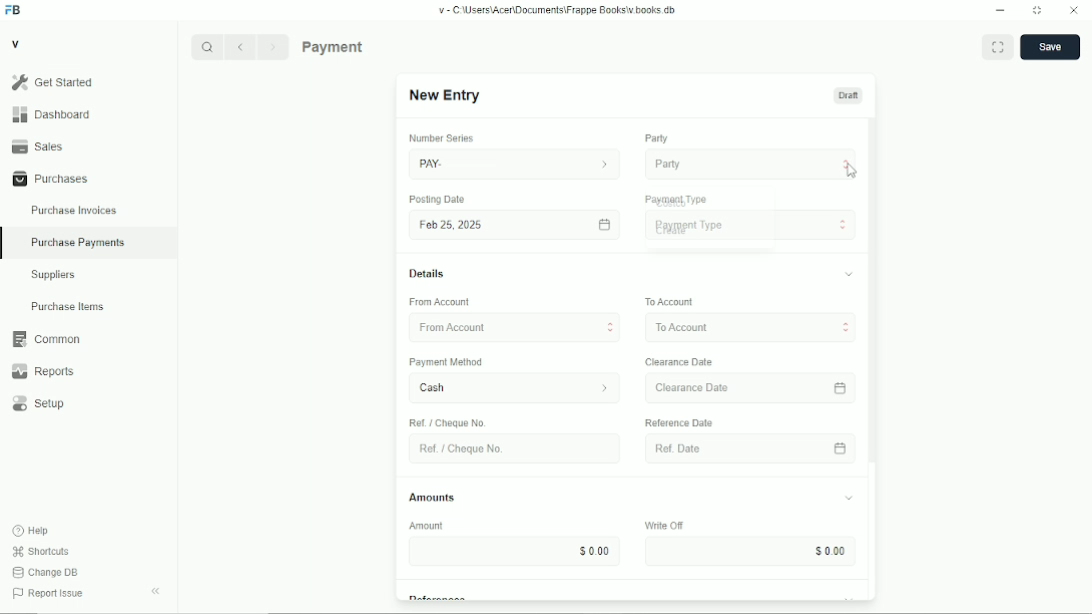 Image resolution: width=1092 pixels, height=614 pixels. What do you see at coordinates (842, 448) in the screenshot?
I see `calender` at bounding box center [842, 448].